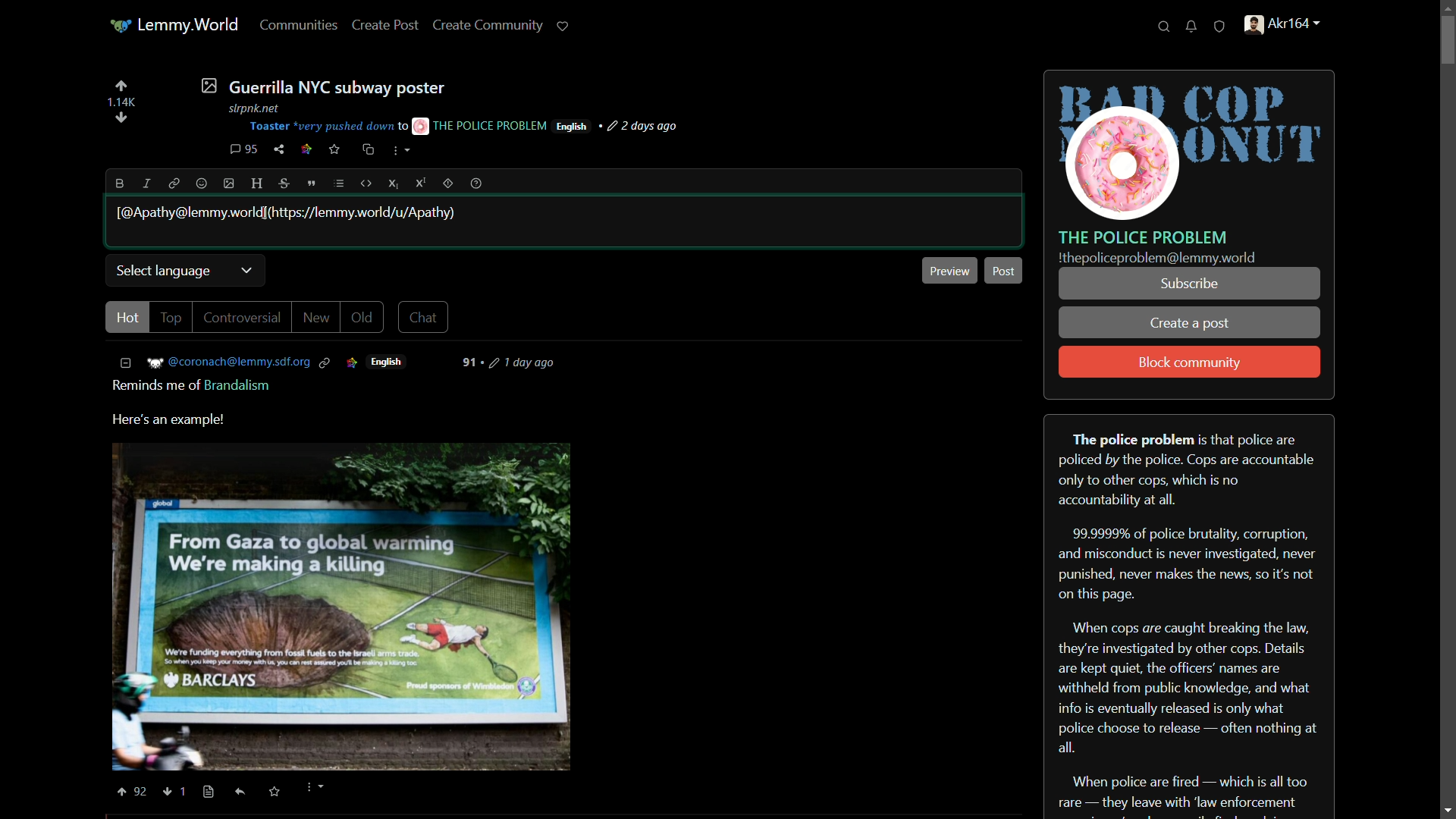 The height and width of the screenshot is (819, 1456). What do you see at coordinates (1191, 146) in the screenshot?
I see `server icon` at bounding box center [1191, 146].